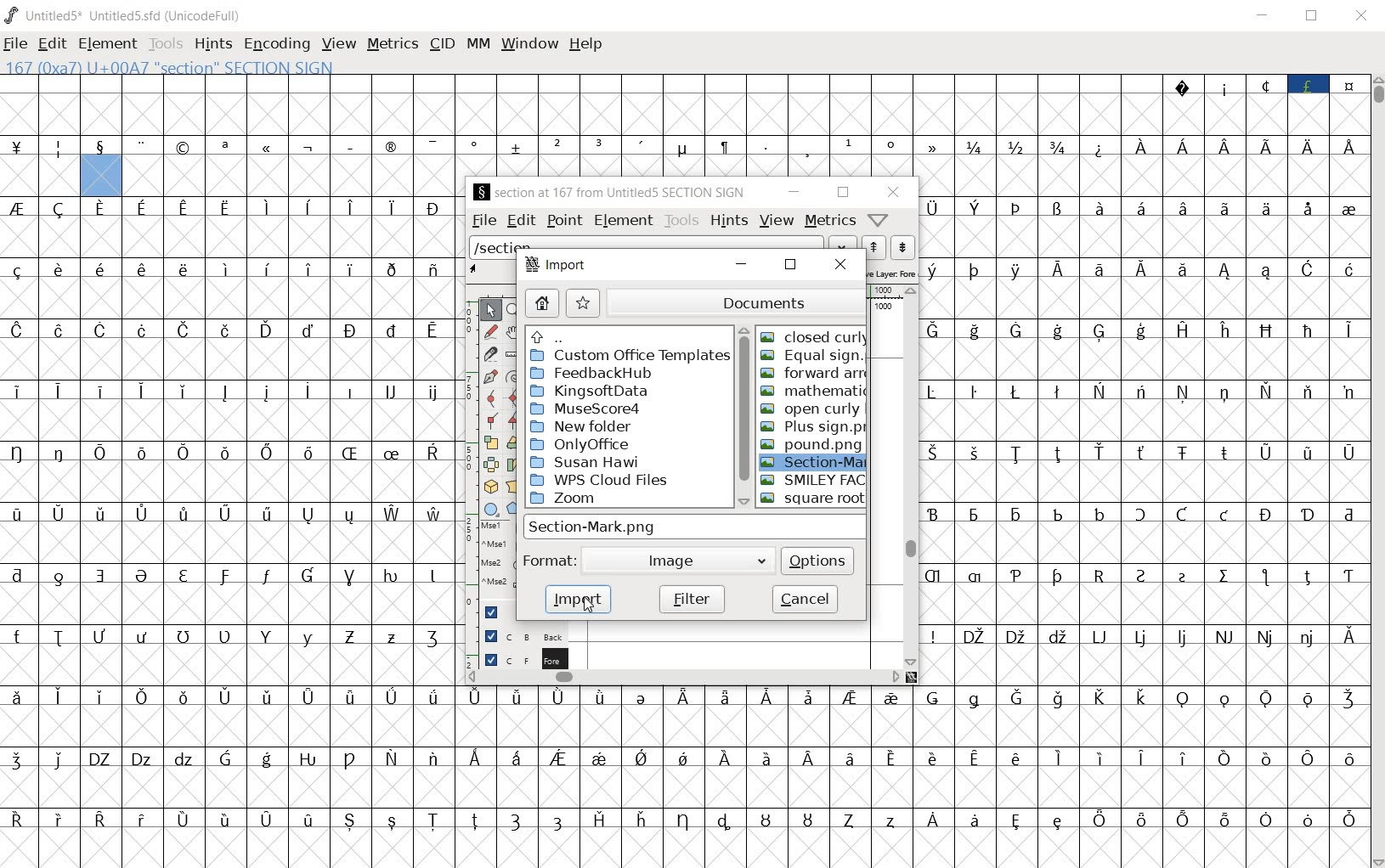 The height and width of the screenshot is (868, 1385). Describe the element at coordinates (1361, 18) in the screenshot. I see `CLOSE` at that location.